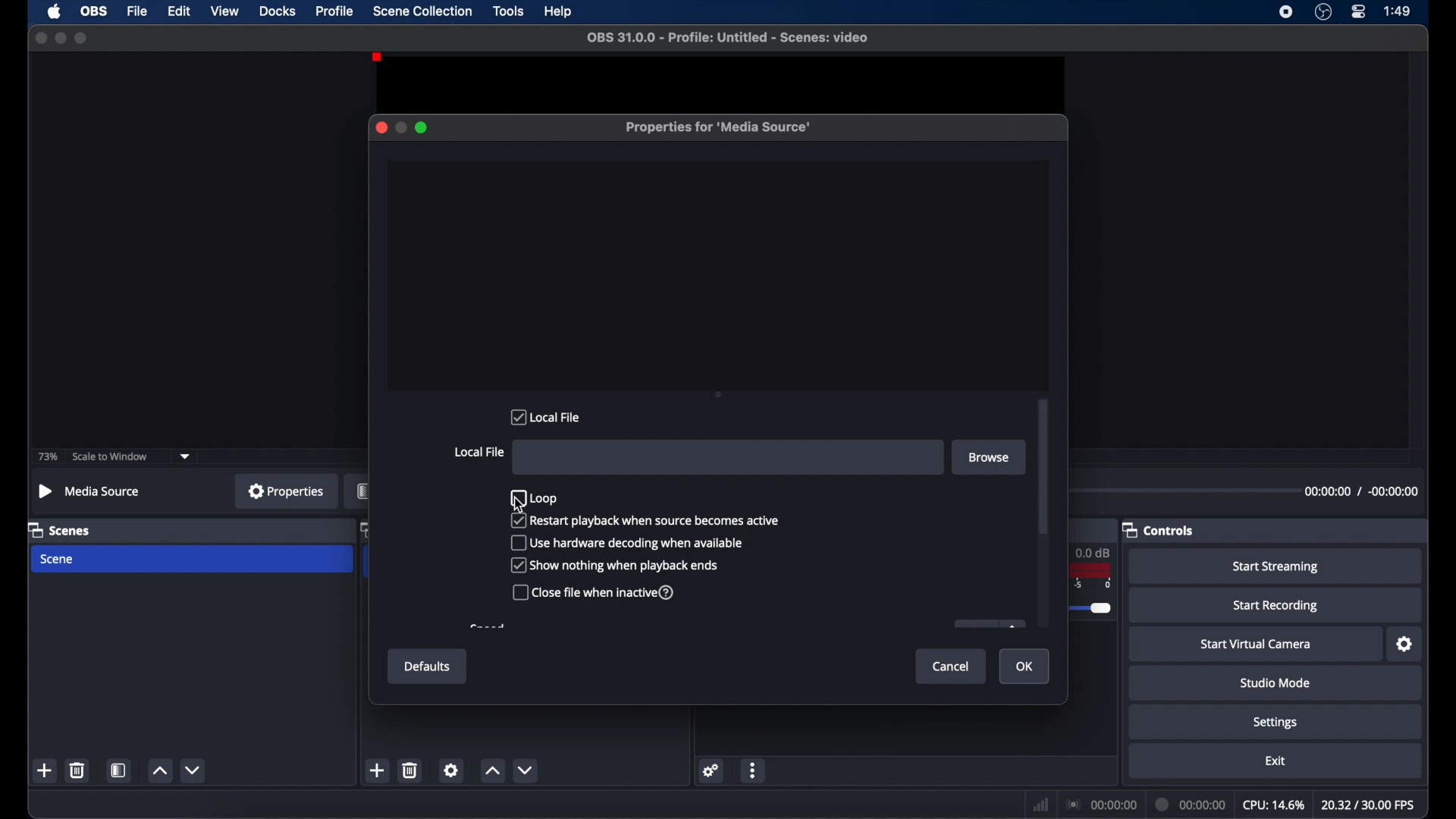 The image size is (1456, 819). I want to click on studio mode, so click(1277, 683).